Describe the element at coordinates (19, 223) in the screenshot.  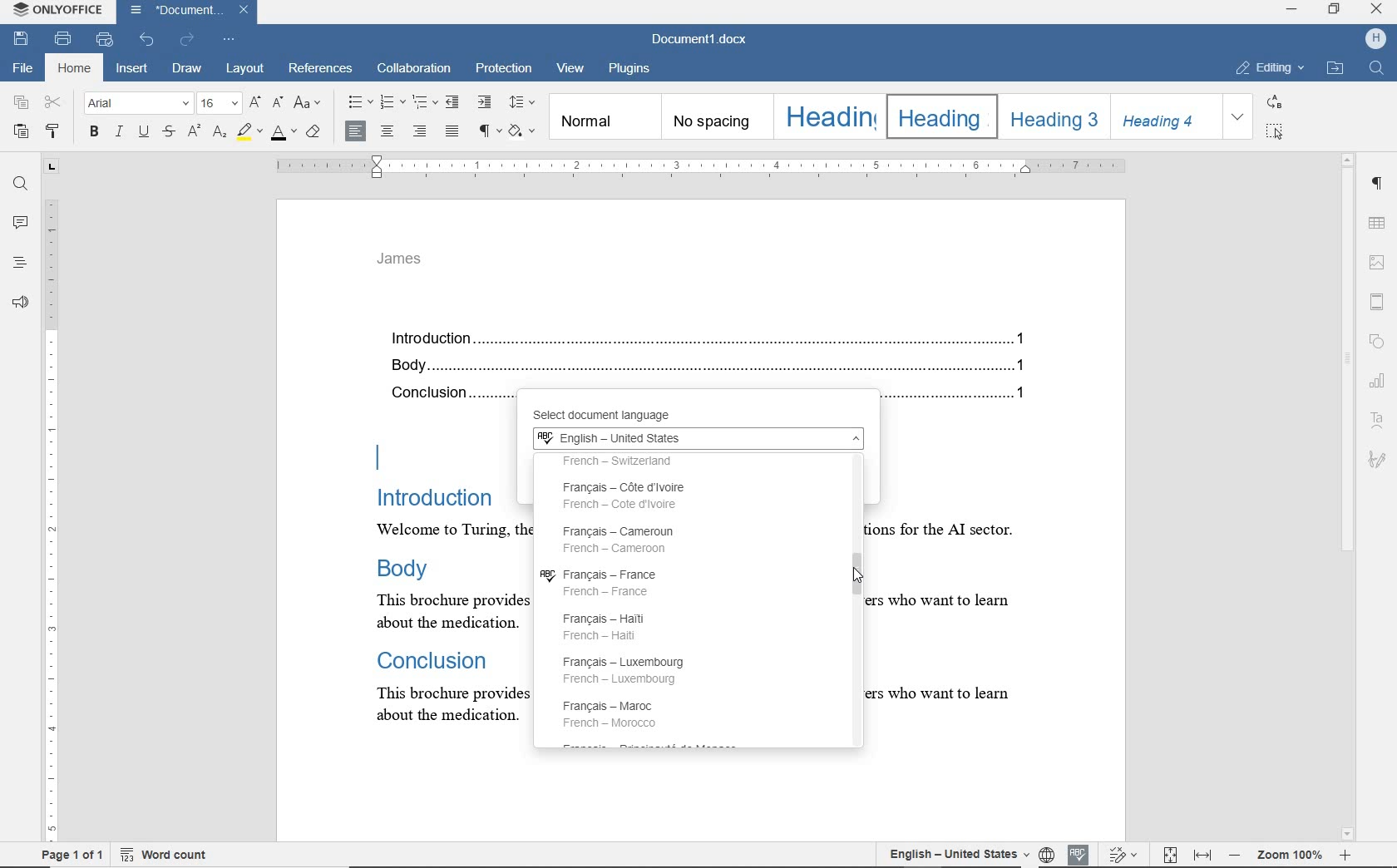
I see `comments` at that location.